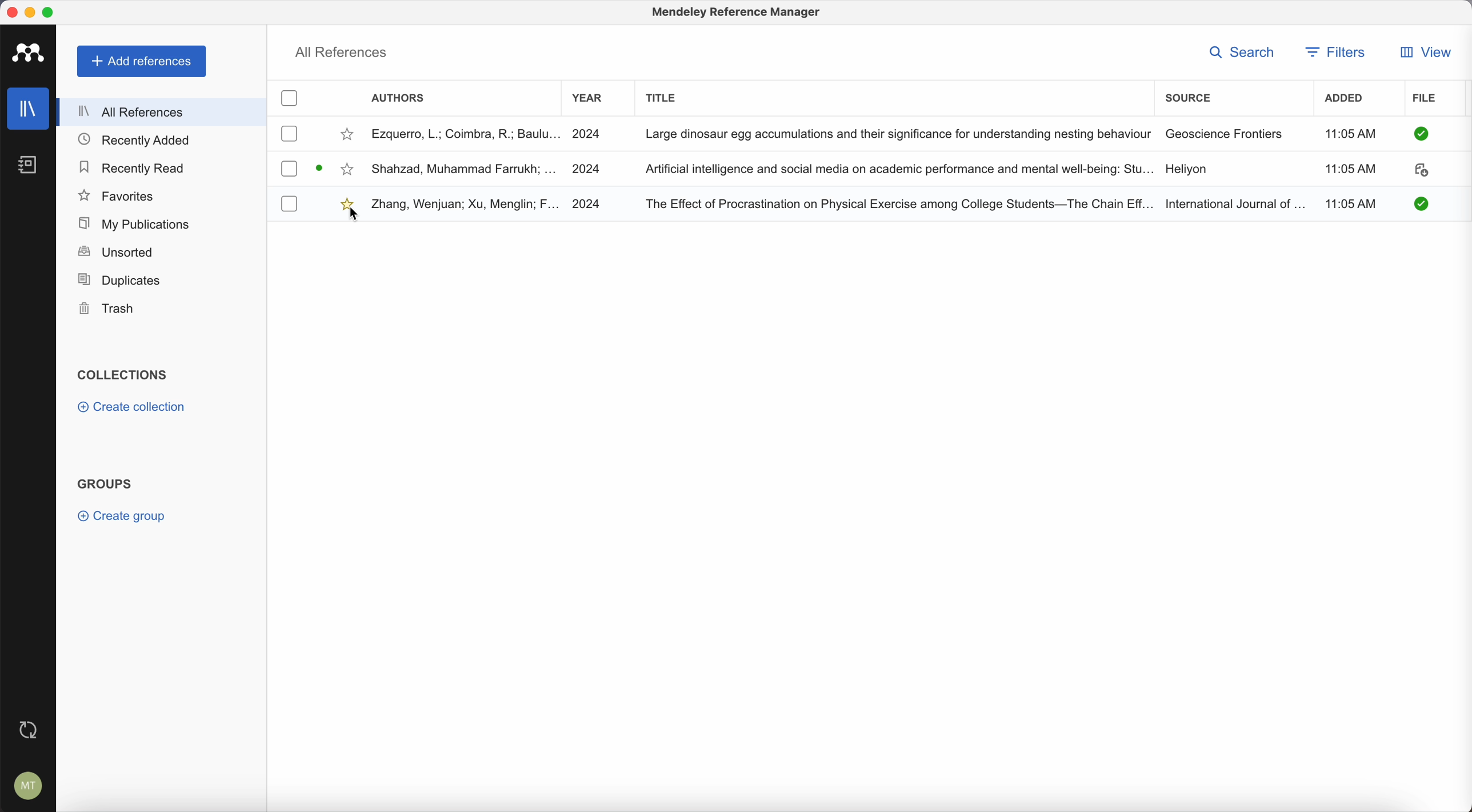 This screenshot has width=1472, height=812. I want to click on view, so click(1424, 52).